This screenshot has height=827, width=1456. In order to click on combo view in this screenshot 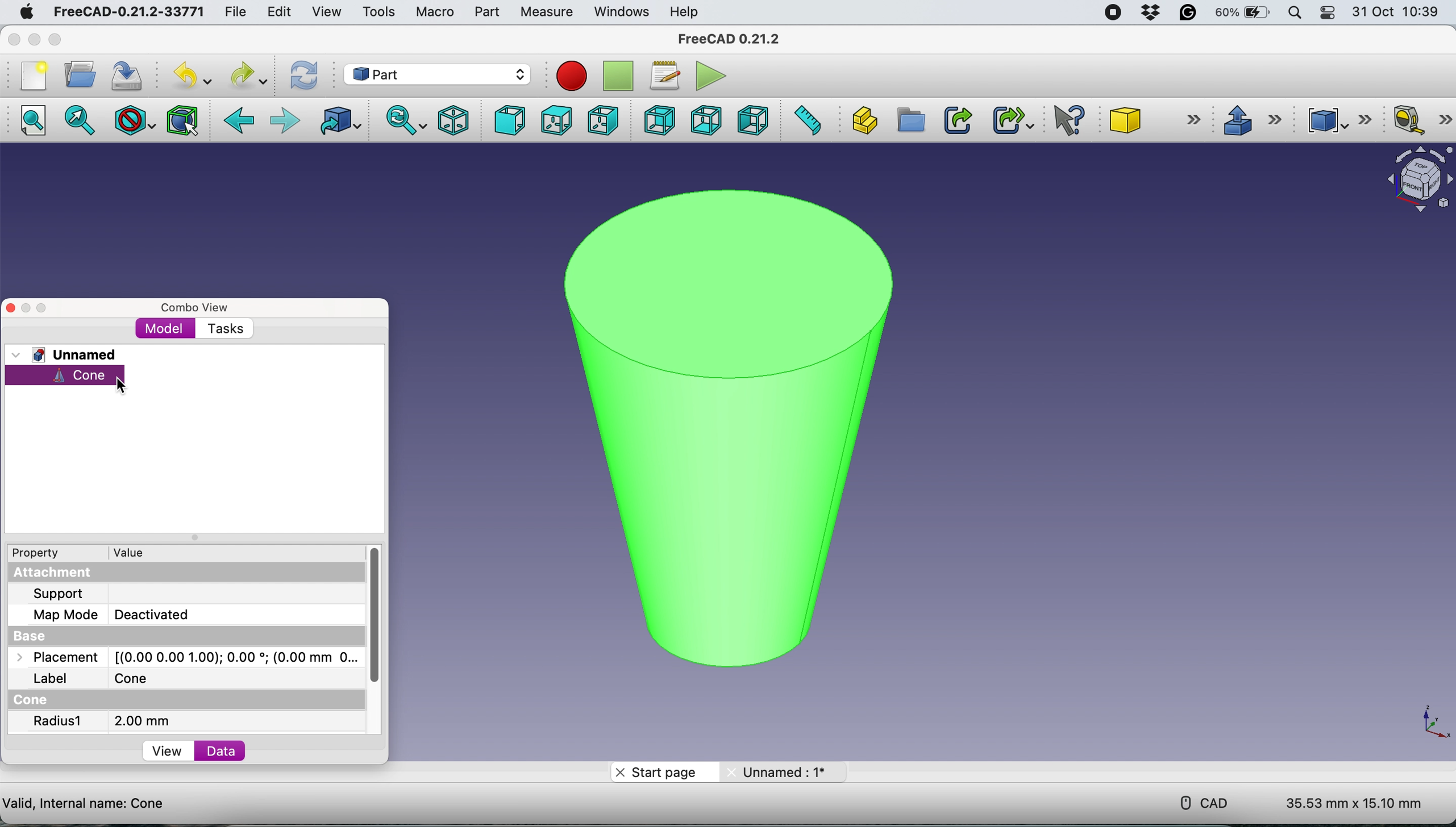, I will do `click(195, 306)`.